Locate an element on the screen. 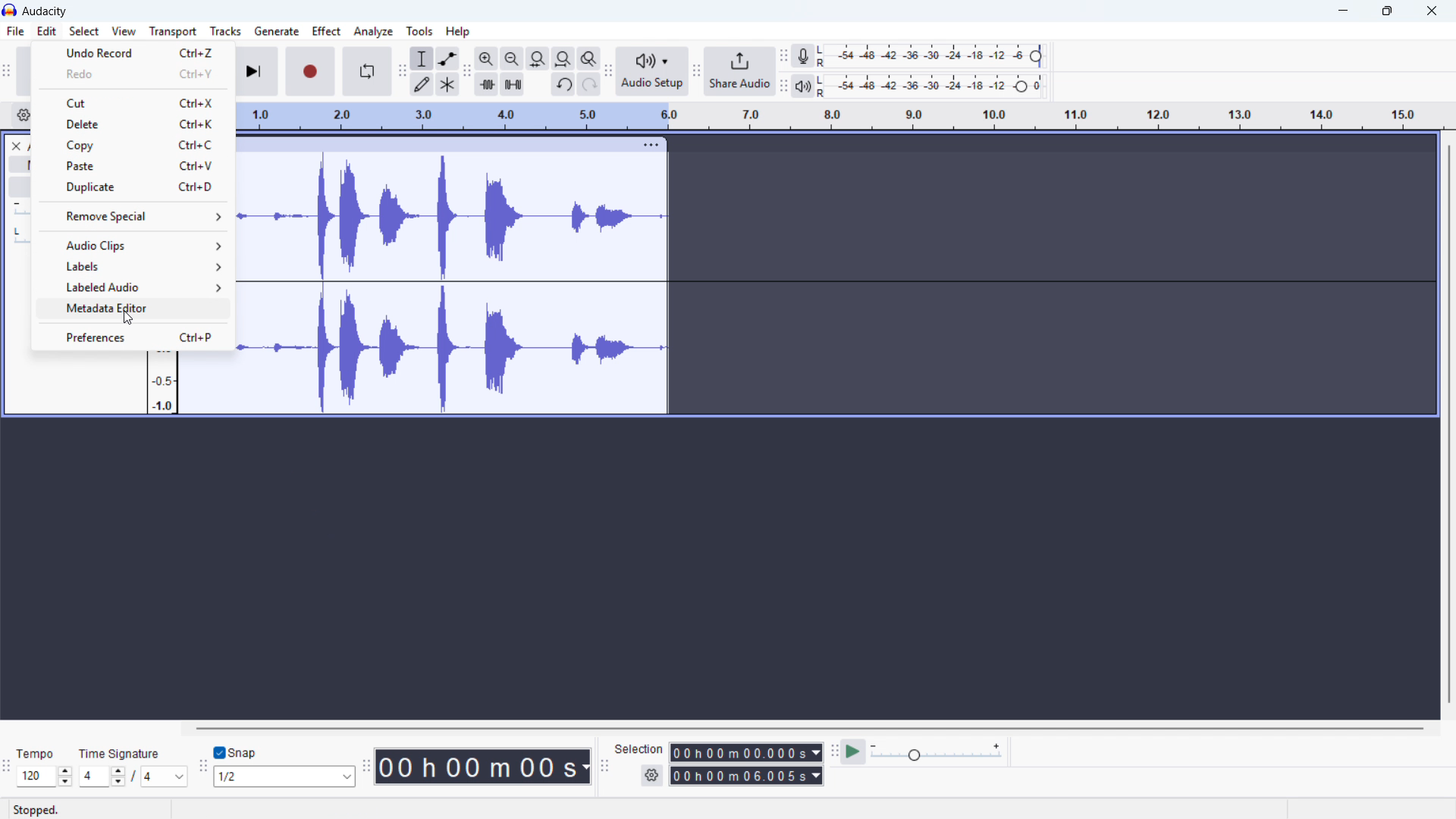 This screenshot has width=1456, height=819. analyze is located at coordinates (372, 32).